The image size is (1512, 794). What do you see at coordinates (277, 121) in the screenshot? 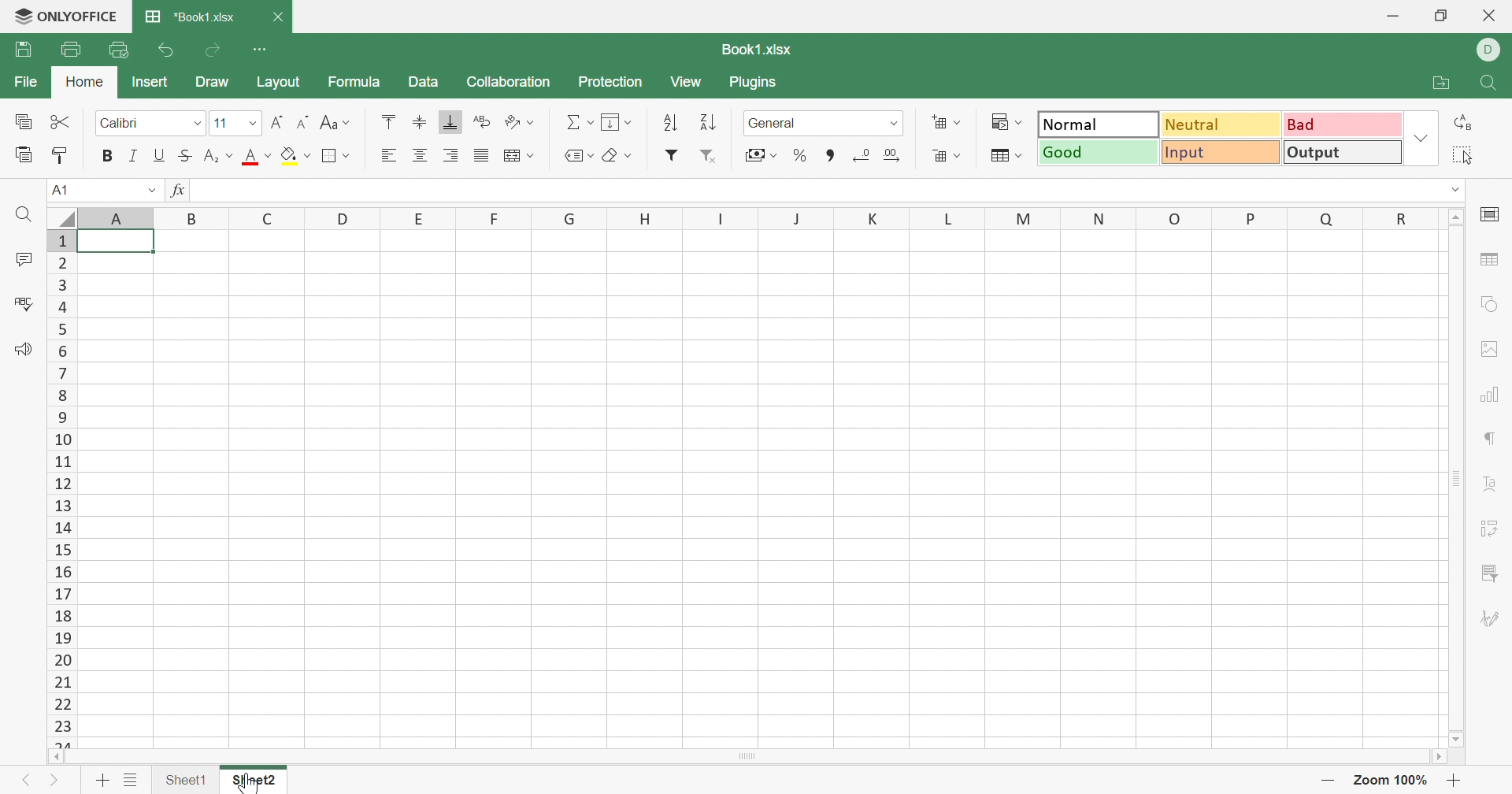
I see `Increment font size` at bounding box center [277, 121].